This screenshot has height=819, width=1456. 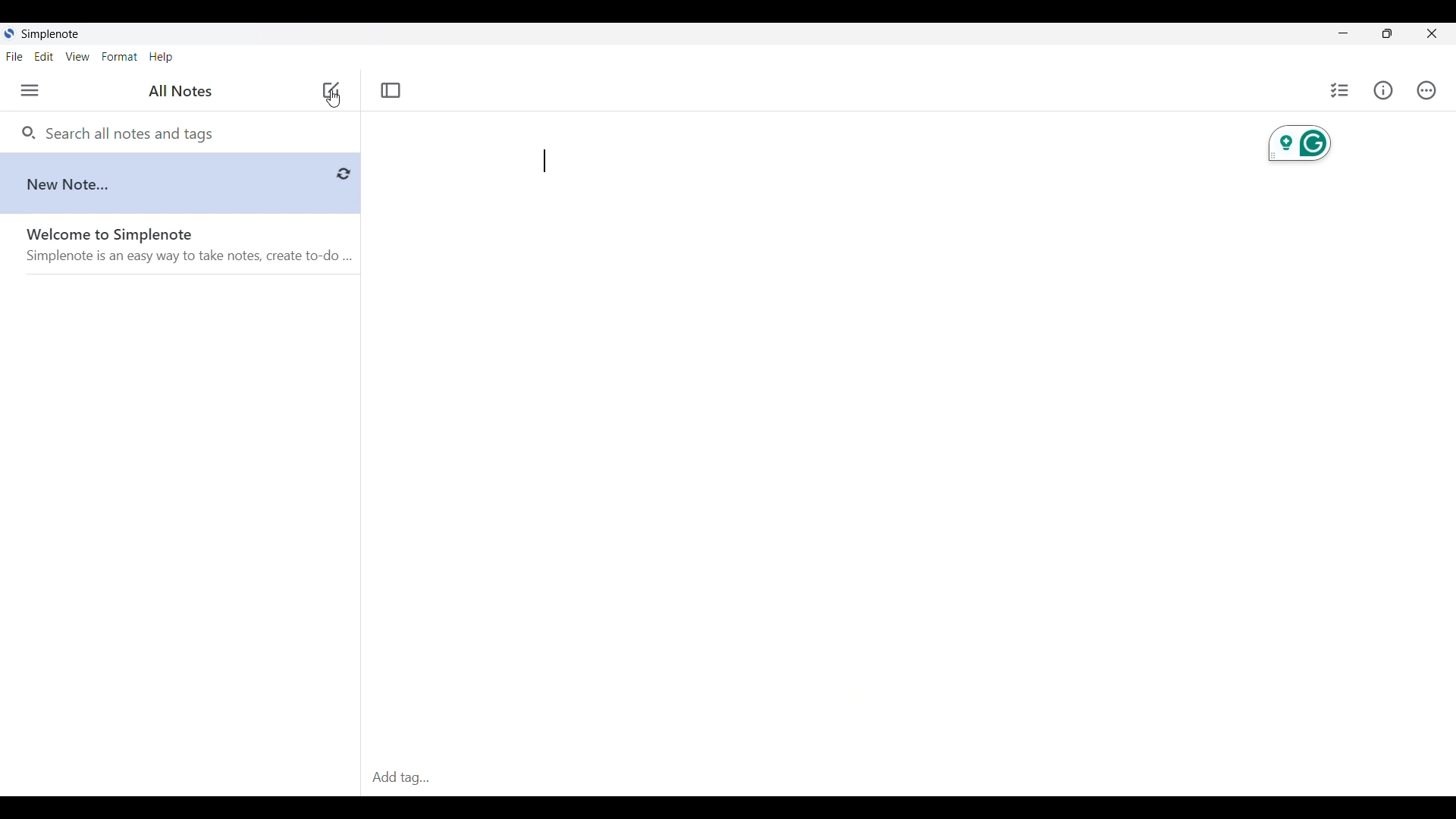 I want to click on Welcome to Simplenote Simplenote is an easy way to take notes, create to-do..., so click(x=193, y=246).